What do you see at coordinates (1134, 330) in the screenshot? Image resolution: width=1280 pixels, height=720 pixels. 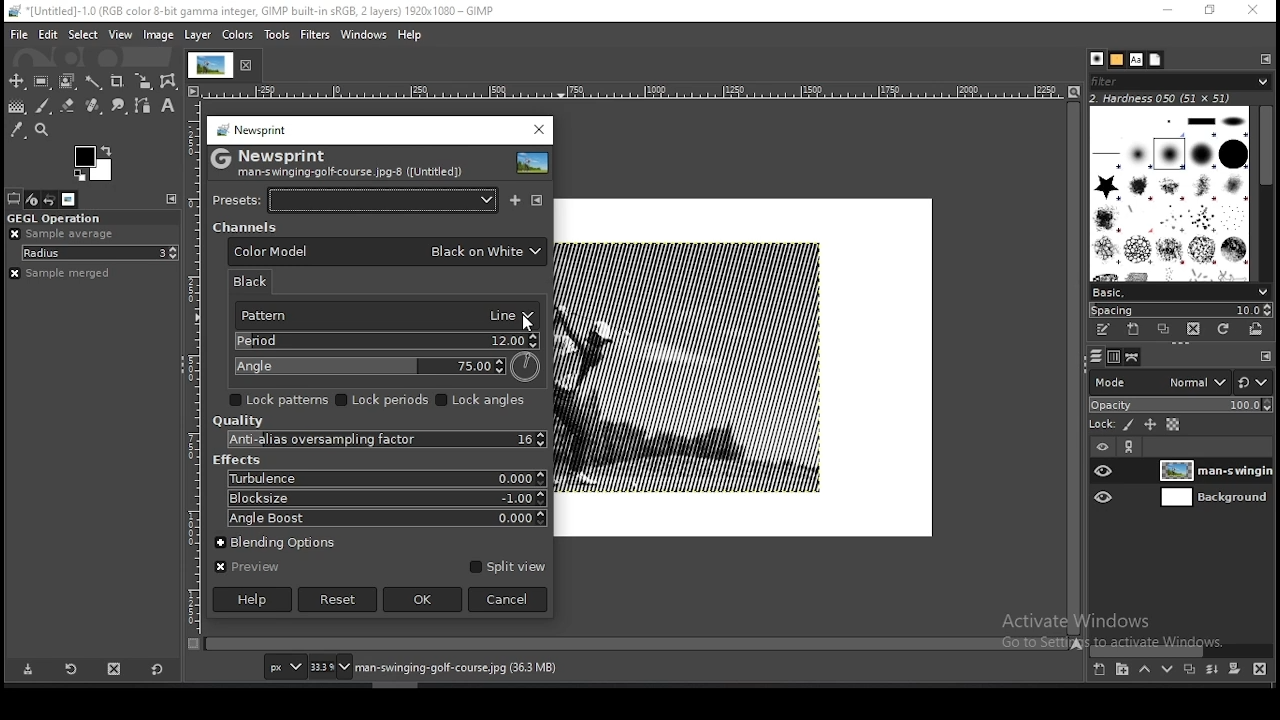 I see `create a new brush` at bounding box center [1134, 330].